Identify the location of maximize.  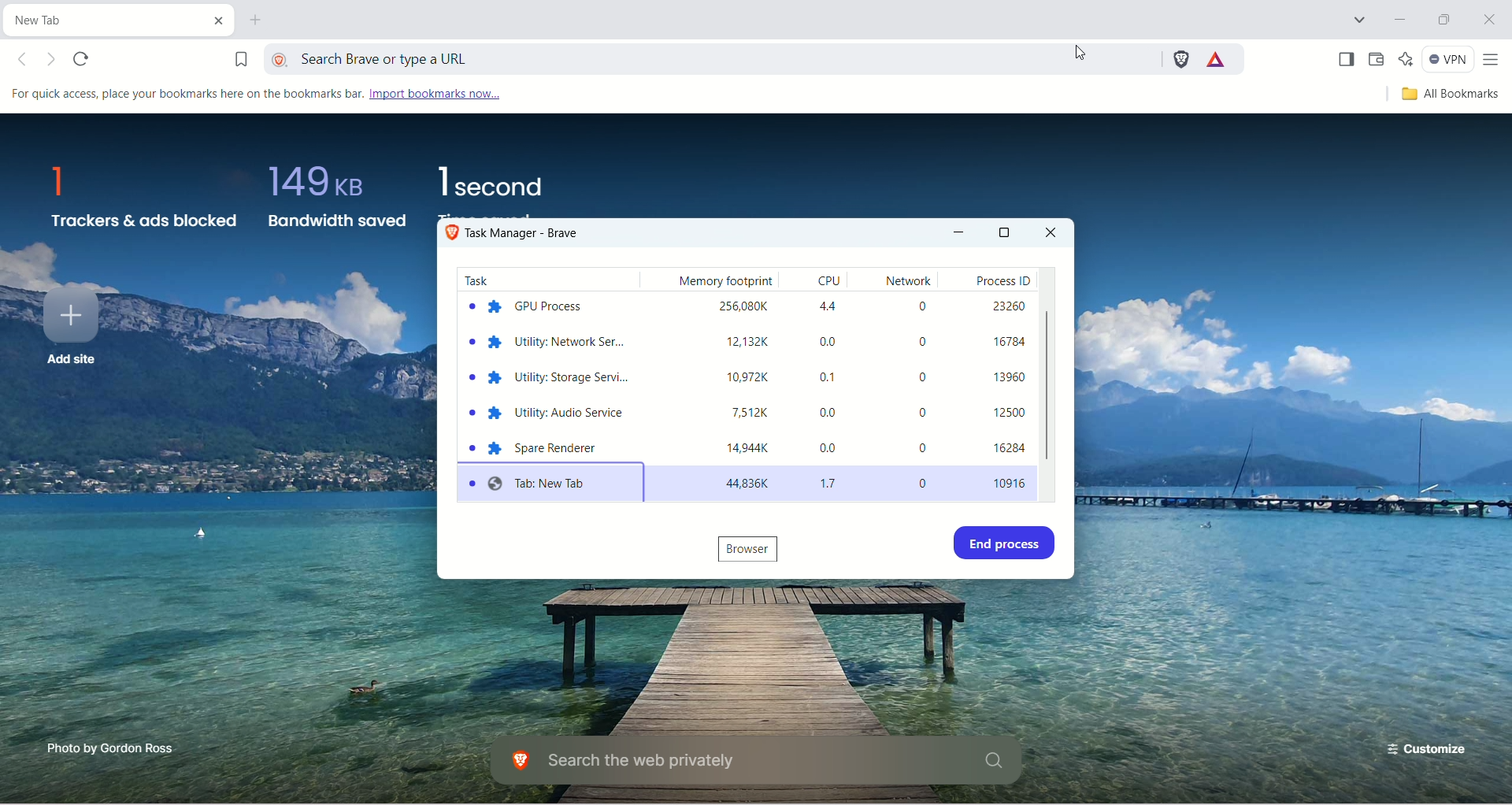
(1444, 18).